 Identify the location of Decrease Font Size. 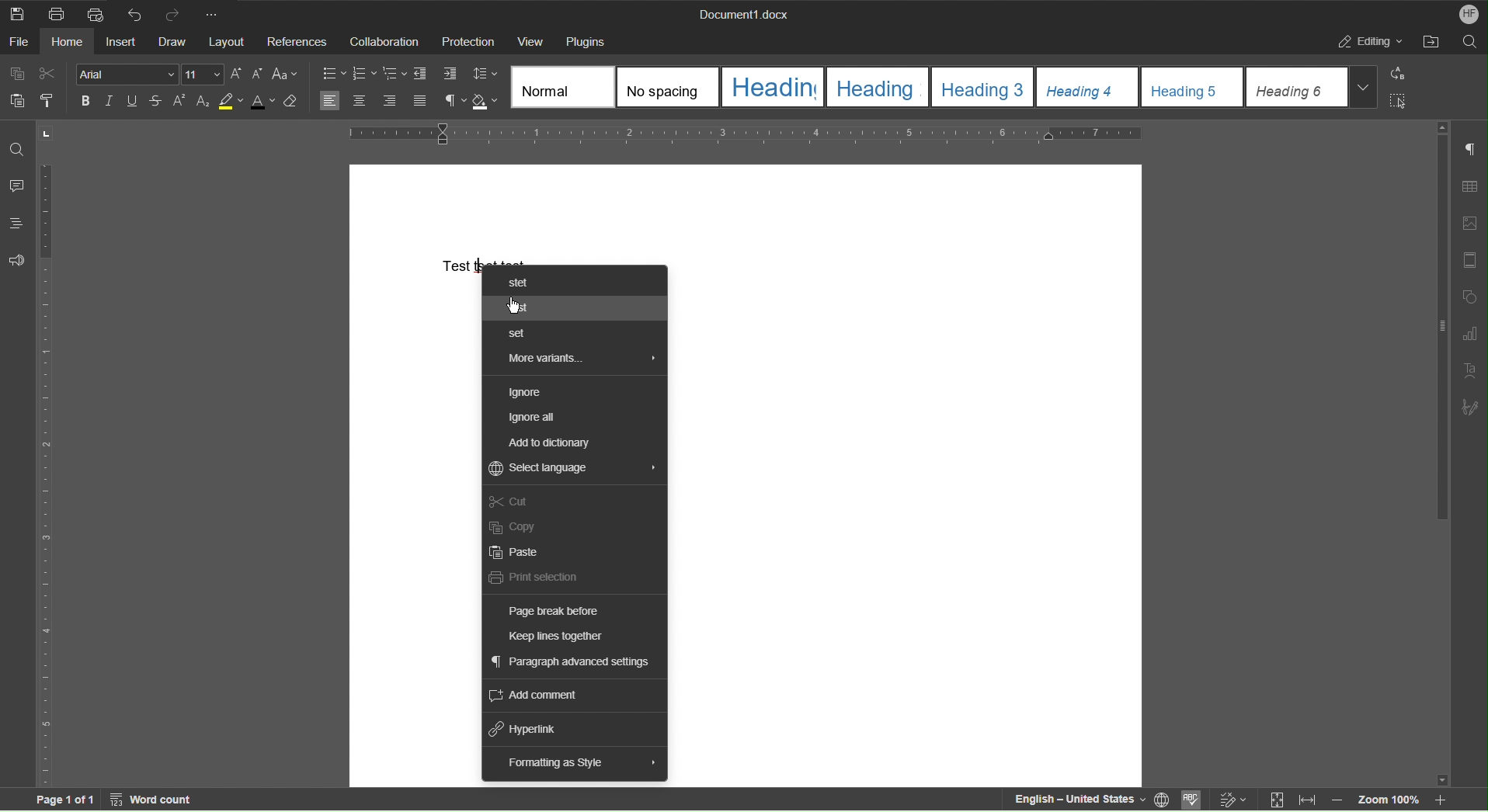
(256, 75).